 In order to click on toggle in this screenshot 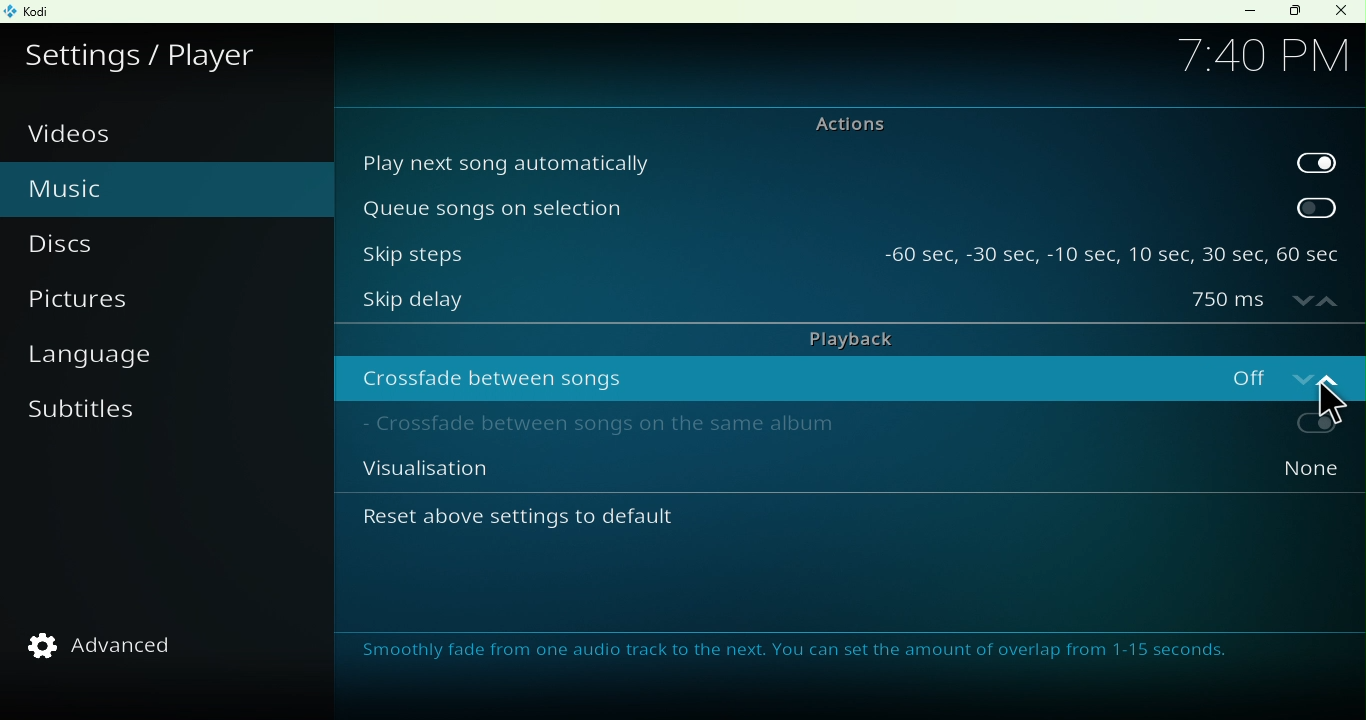, I will do `click(1269, 425)`.